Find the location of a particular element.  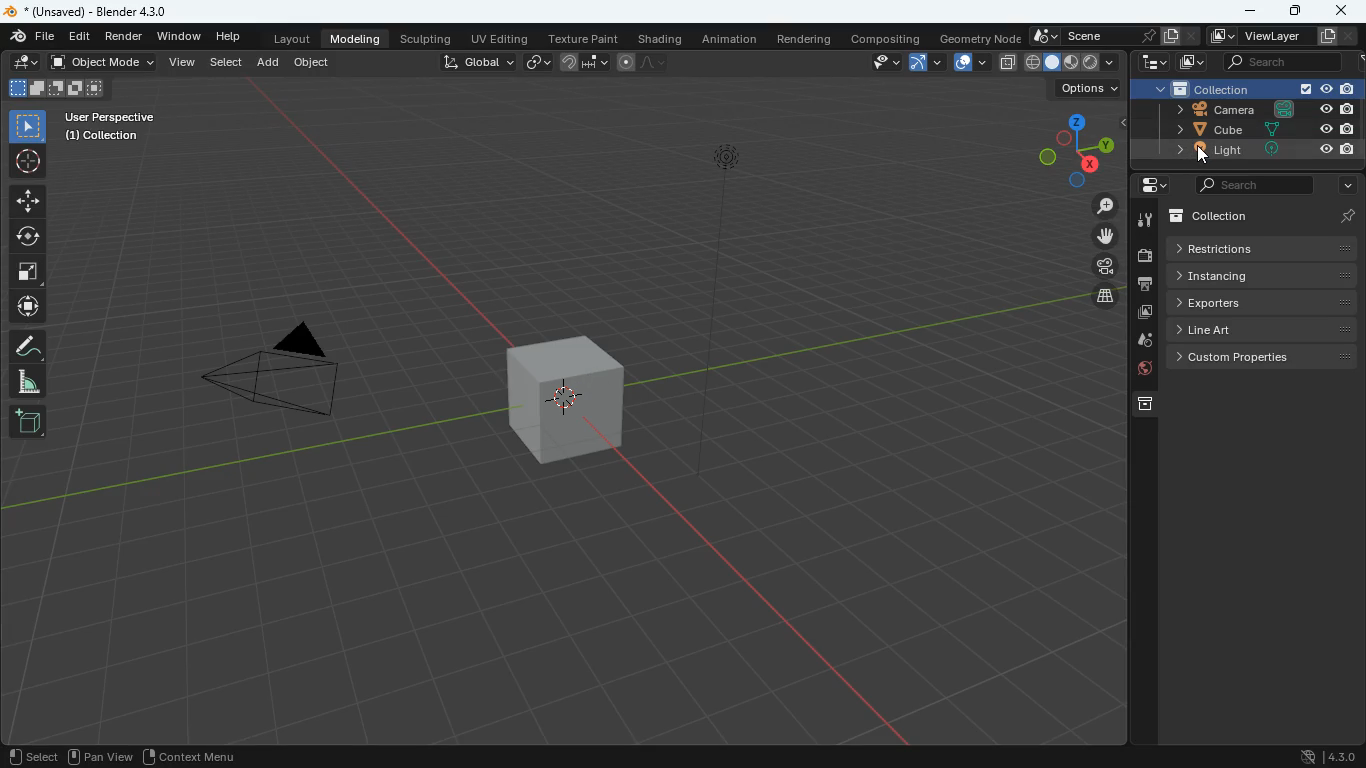

dimensions is located at coordinates (1068, 149).